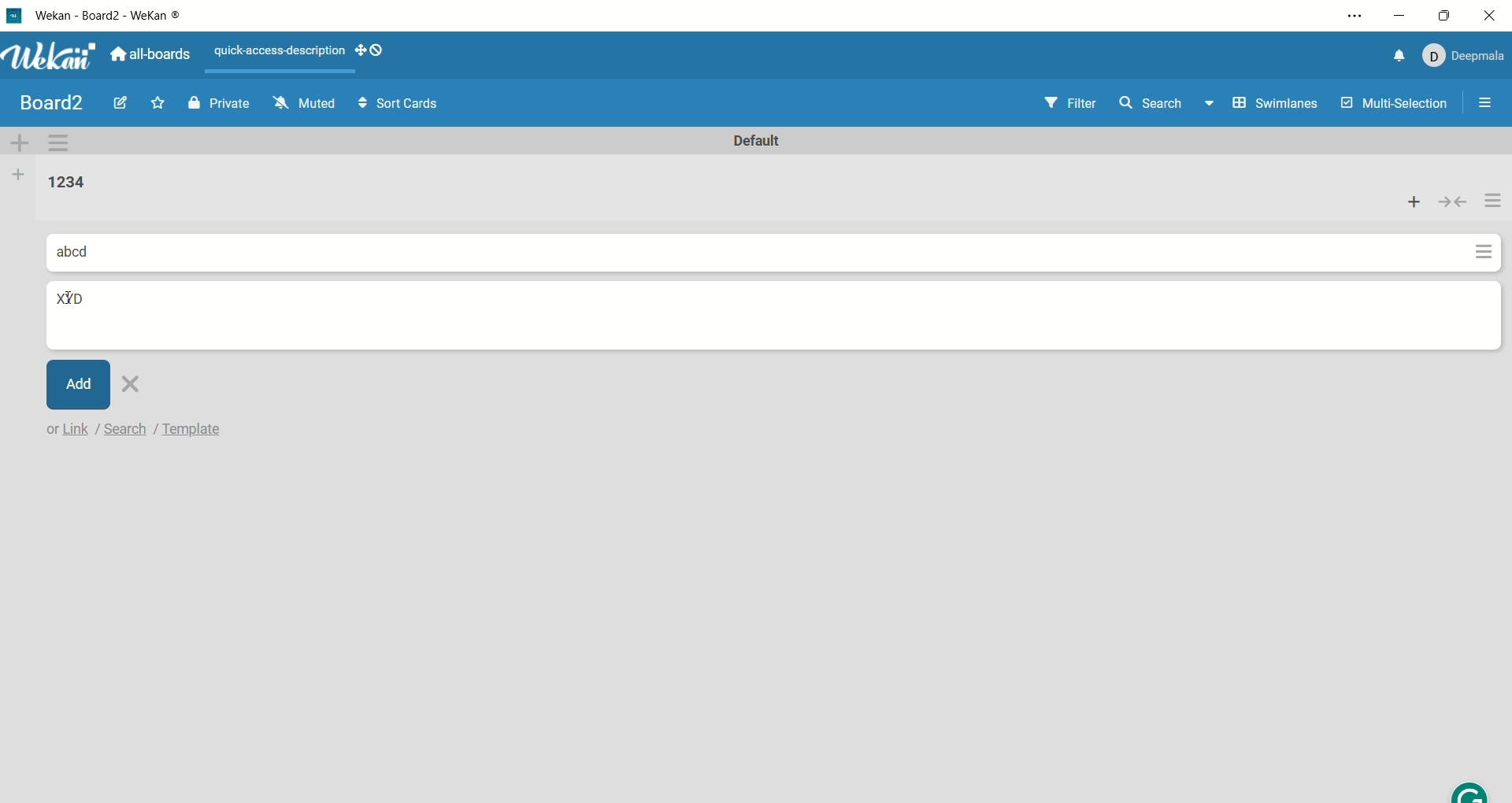  I want to click on actions, so click(1490, 224).